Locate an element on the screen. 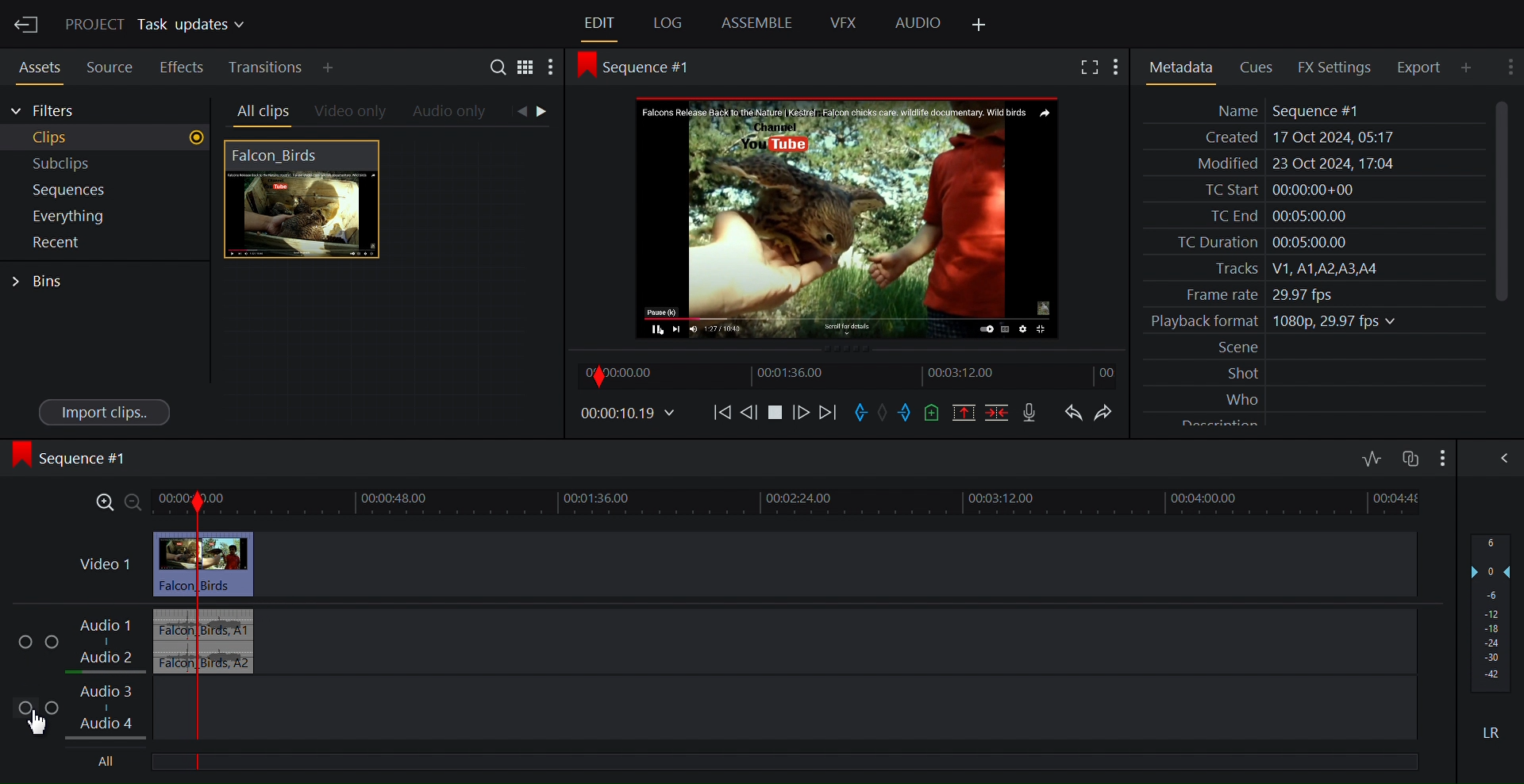 The width and height of the screenshot is (1524, 784). Undo  is located at coordinates (1073, 413).